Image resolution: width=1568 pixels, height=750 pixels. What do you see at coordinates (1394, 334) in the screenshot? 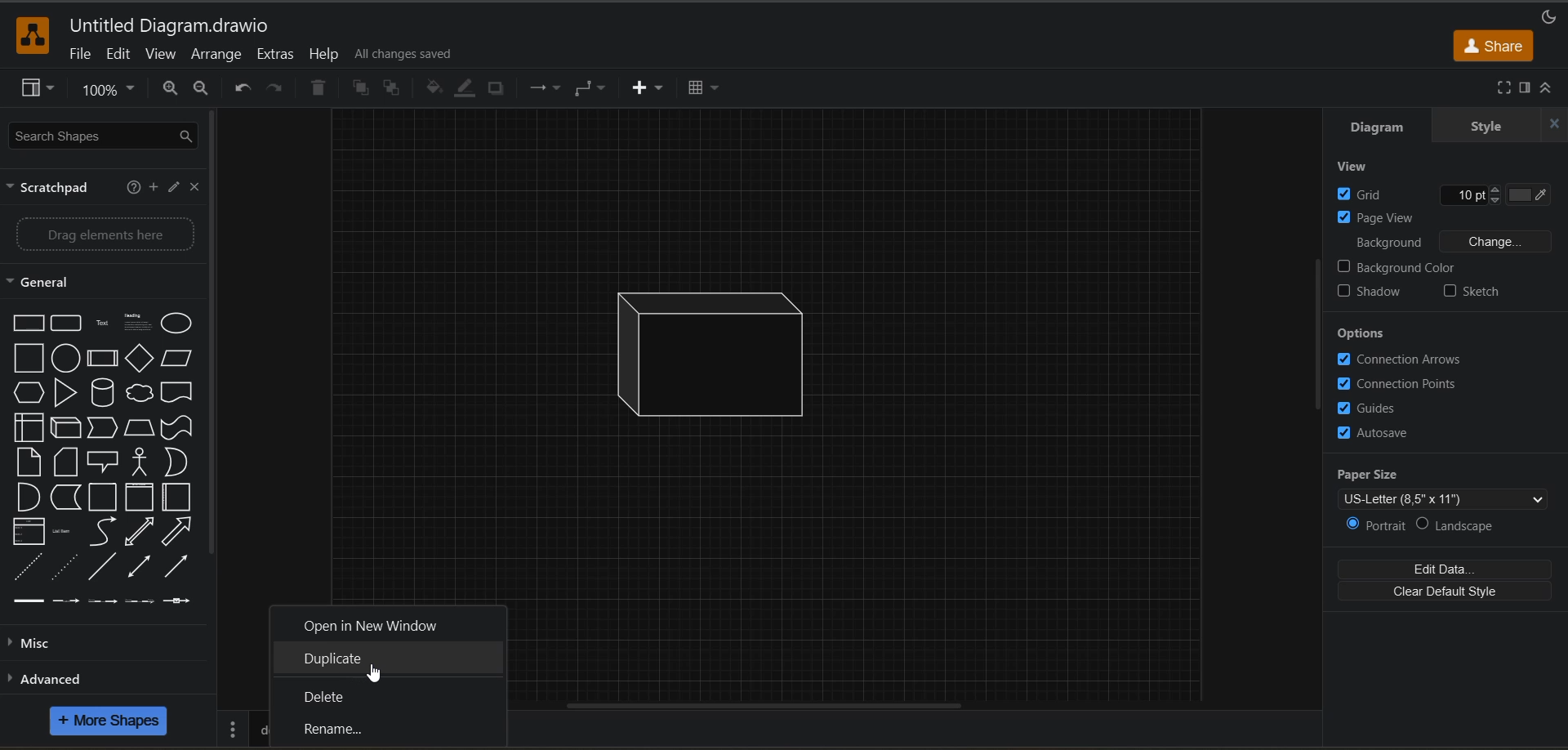
I see `options` at bounding box center [1394, 334].